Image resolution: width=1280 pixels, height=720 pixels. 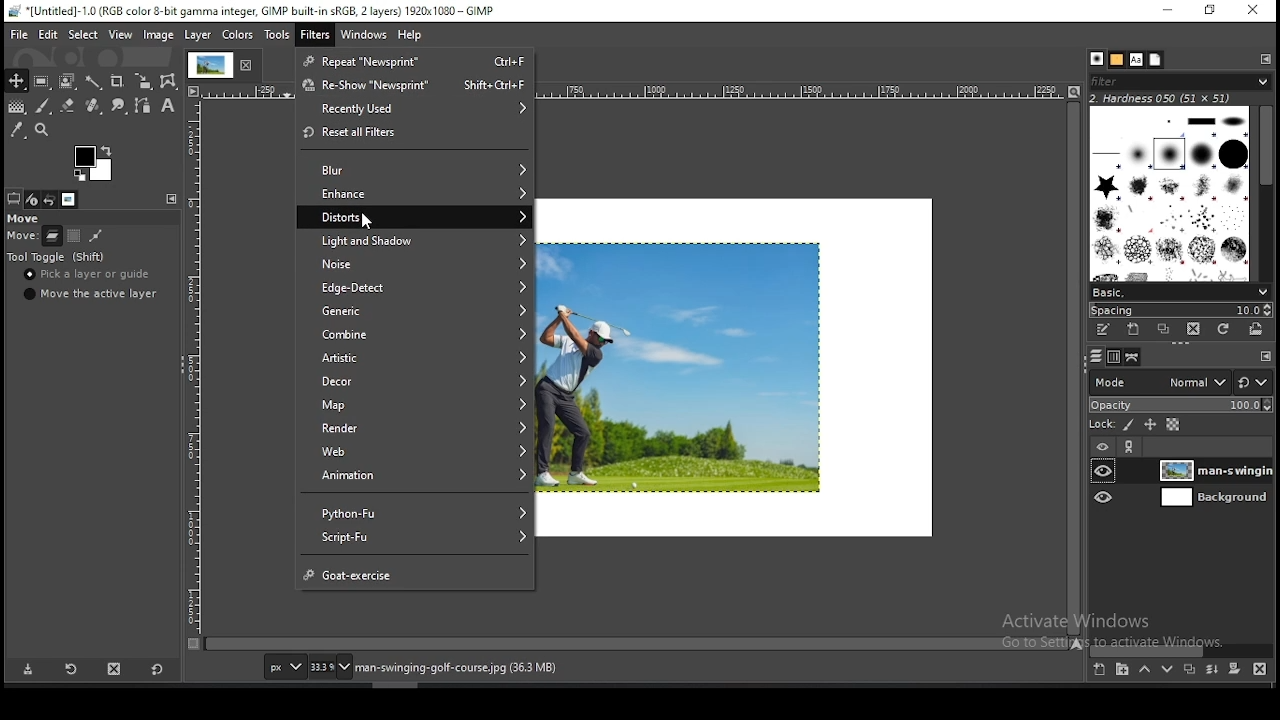 I want to click on layers, so click(x=1096, y=358).